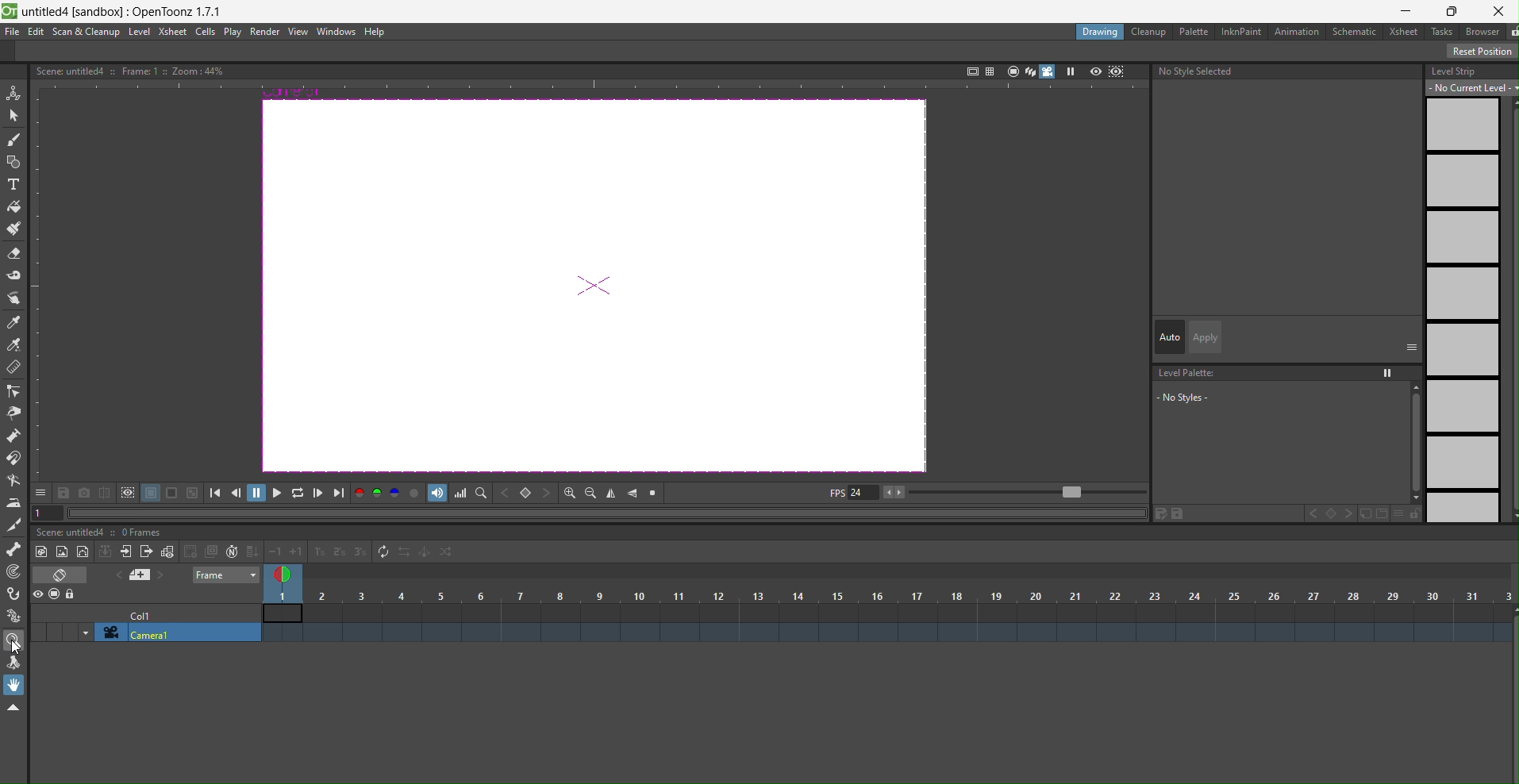 The image size is (1519, 784). Describe the element at coordinates (1240, 31) in the screenshot. I see `inknpaint` at that location.